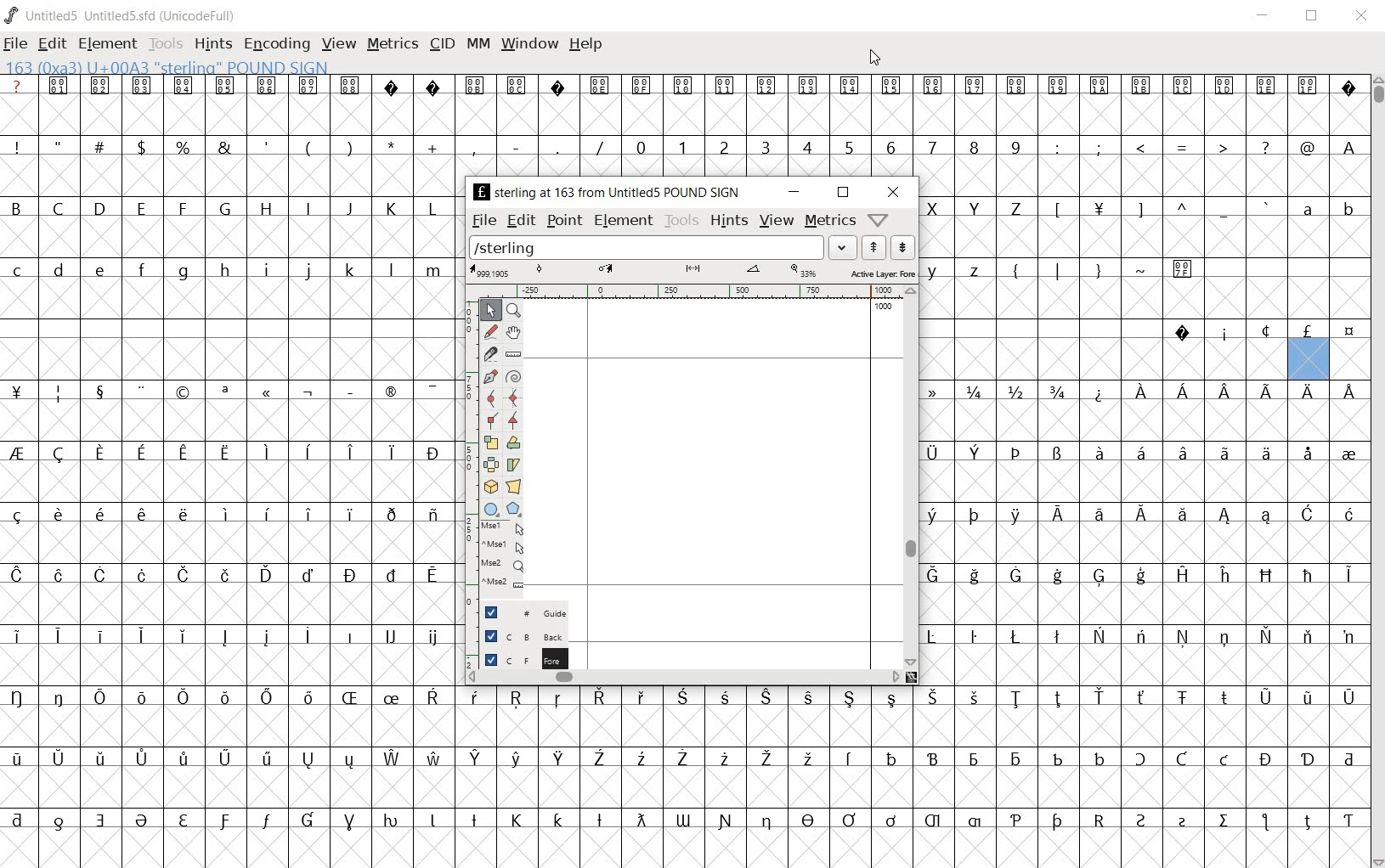 The image size is (1385, 868). Describe the element at coordinates (1225, 516) in the screenshot. I see `Symbol` at that location.